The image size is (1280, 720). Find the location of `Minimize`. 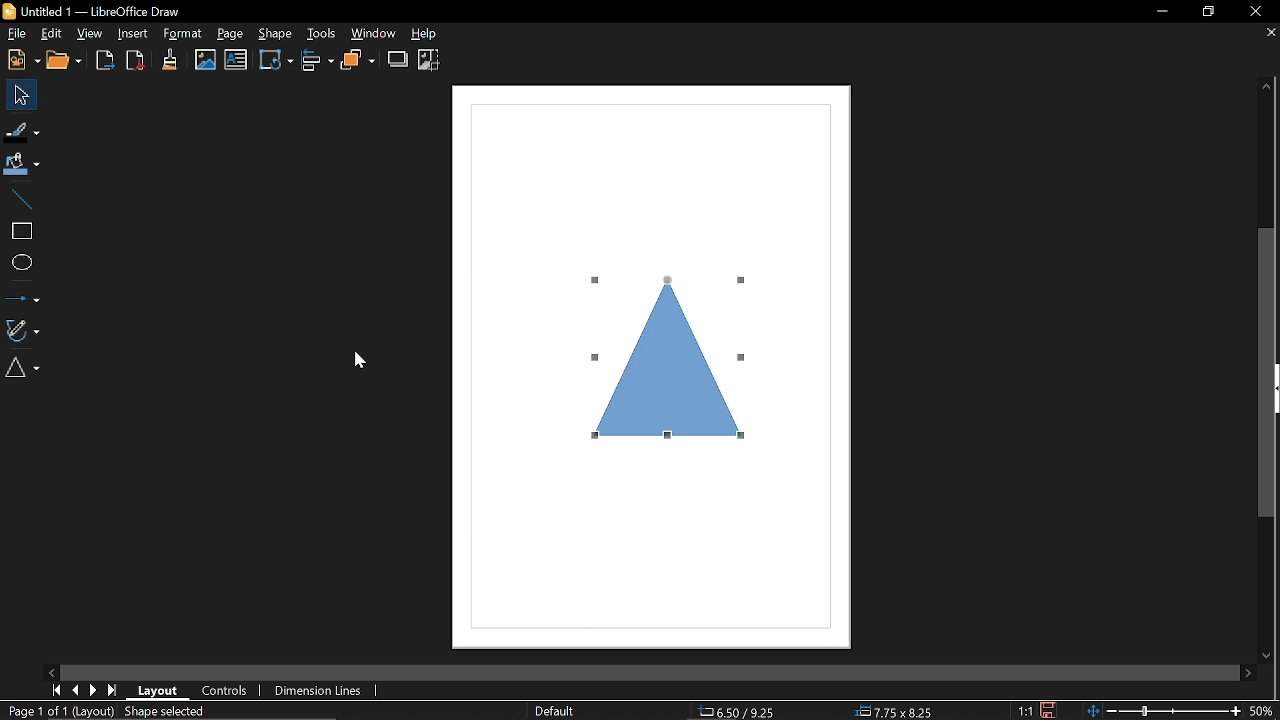

Minimize is located at coordinates (1156, 13).